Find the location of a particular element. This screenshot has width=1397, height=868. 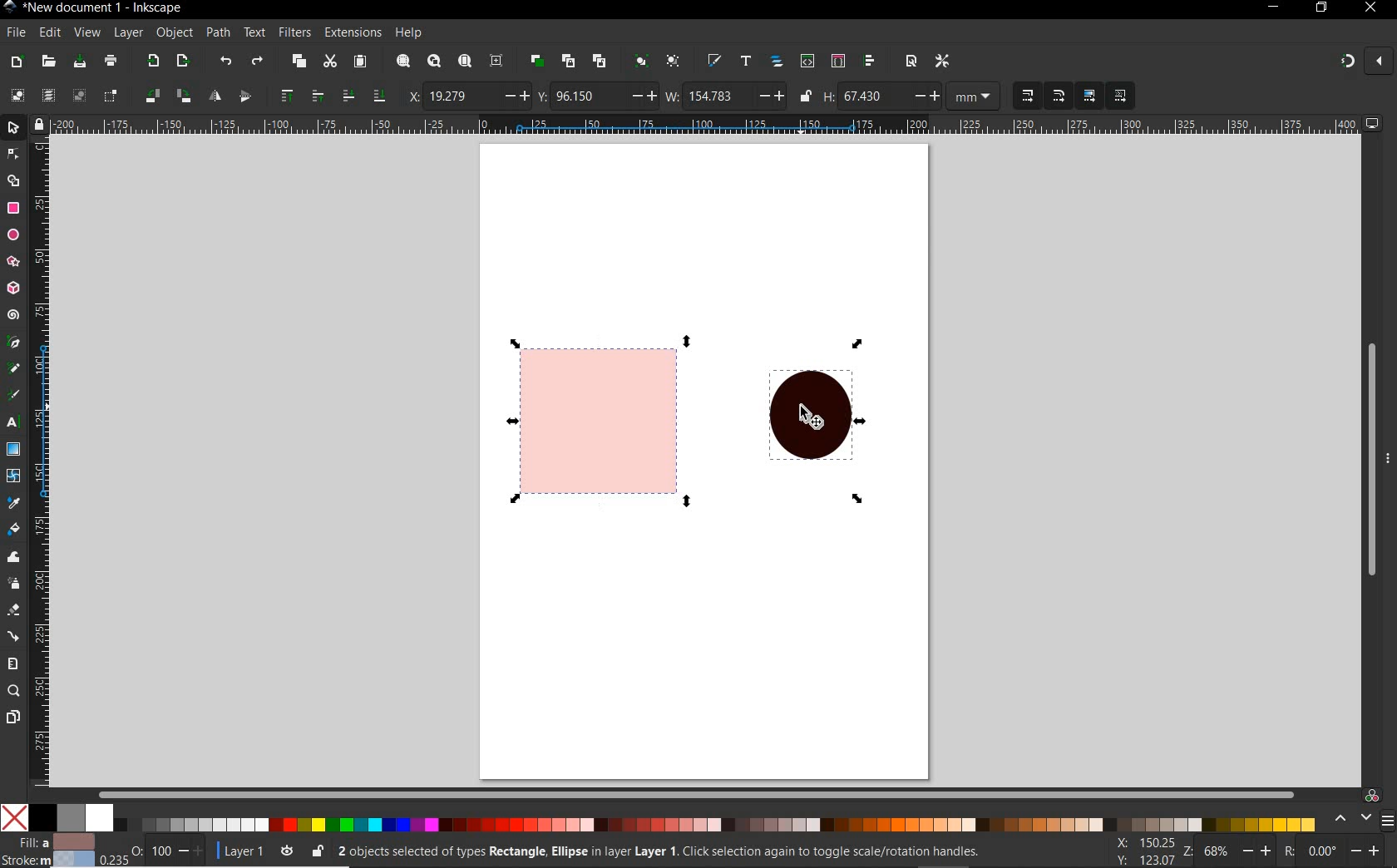

object flip horizontal is located at coordinates (215, 96).